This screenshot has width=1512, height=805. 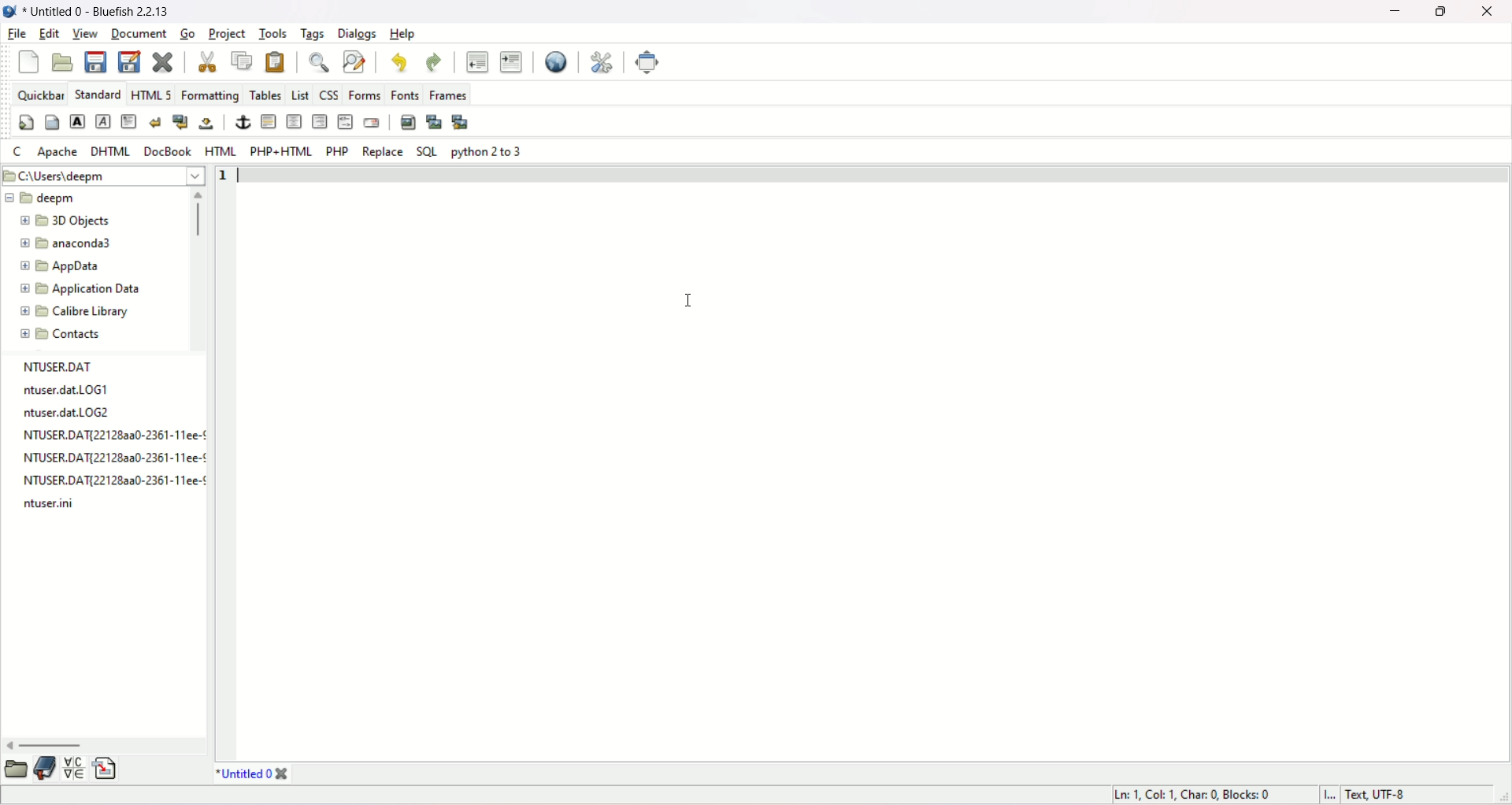 I want to click on Formatting, so click(x=210, y=97).